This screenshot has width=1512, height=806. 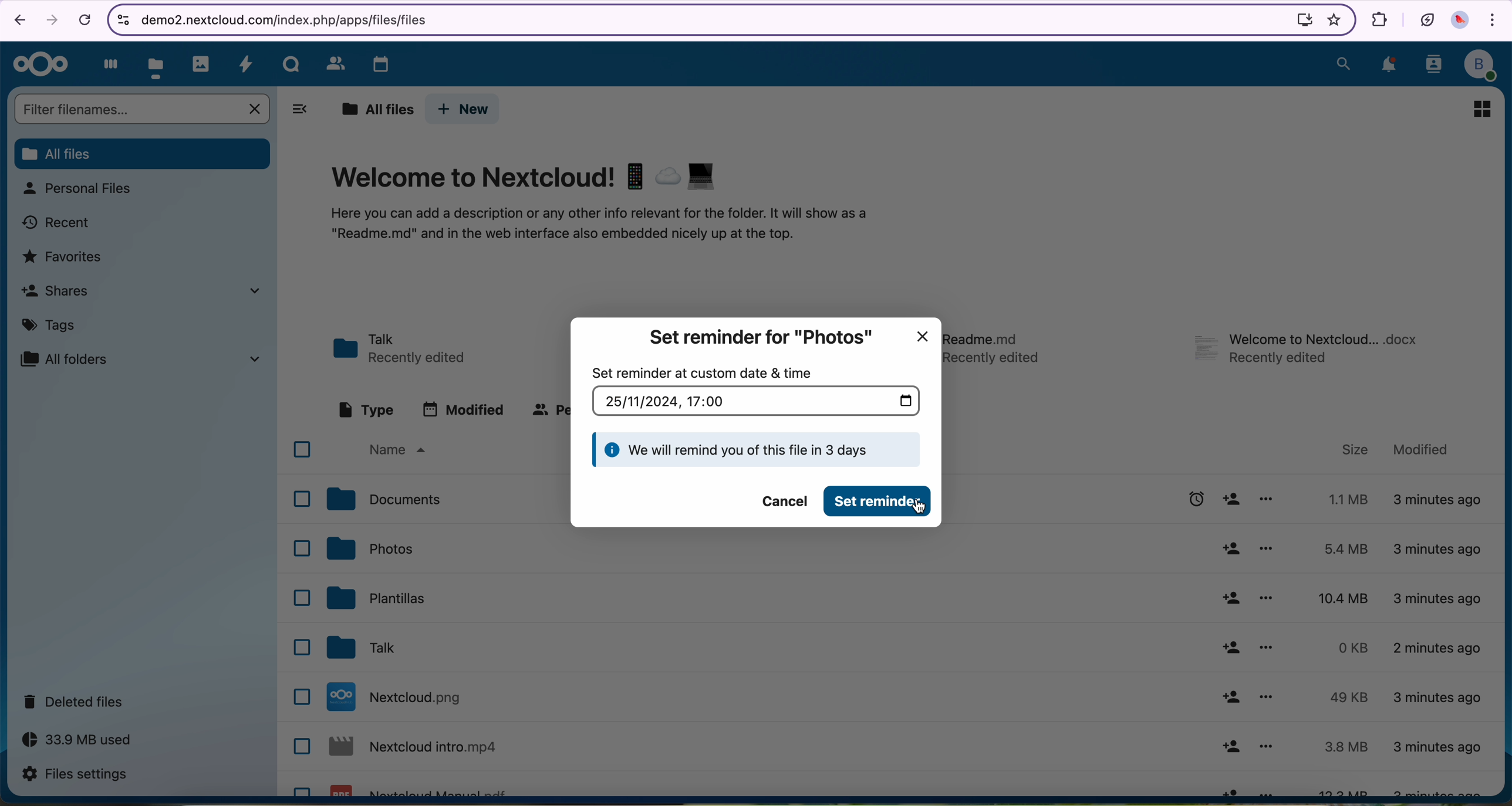 What do you see at coordinates (1344, 648) in the screenshot?
I see `0` at bounding box center [1344, 648].